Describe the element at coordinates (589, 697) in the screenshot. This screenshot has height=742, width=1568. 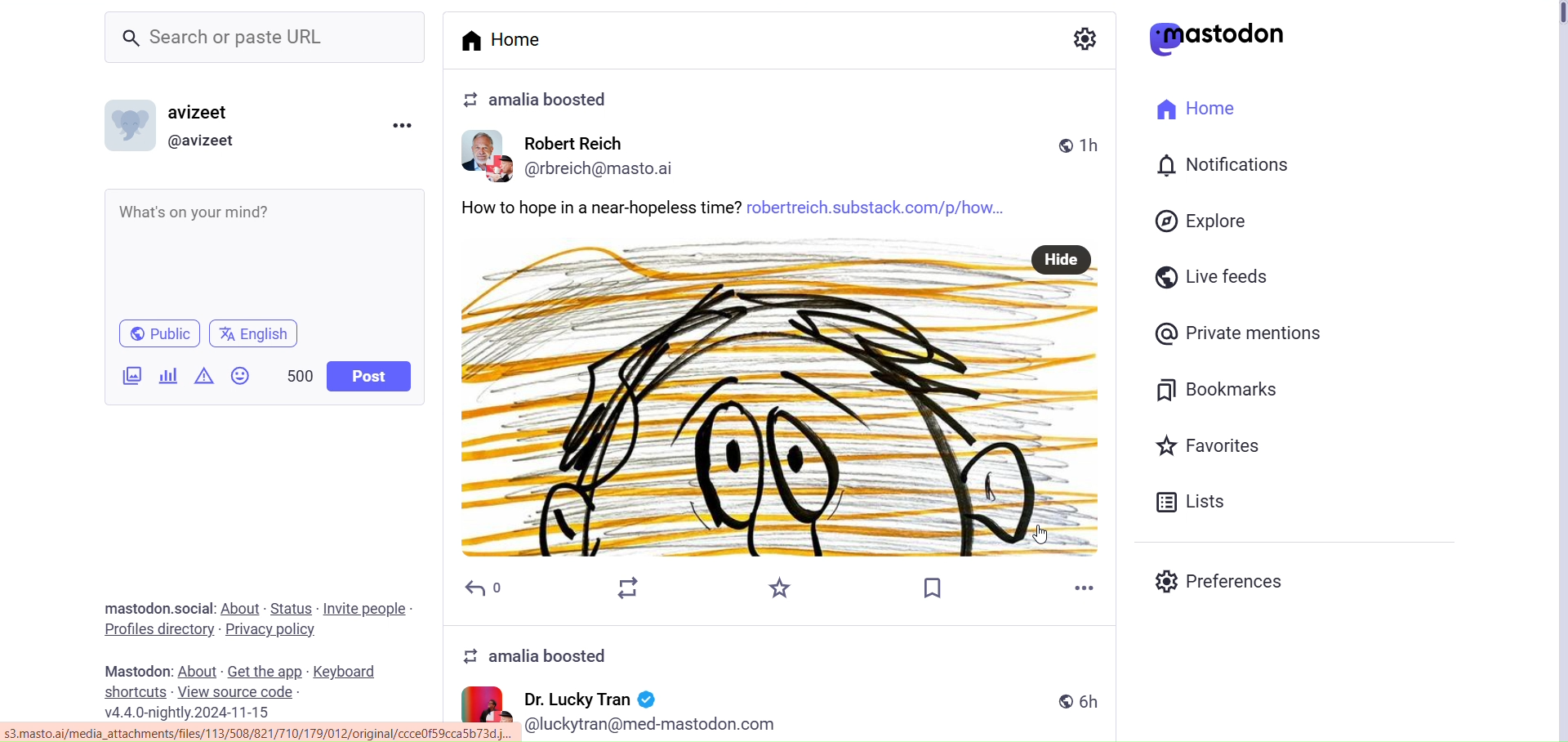
I see `user name` at that location.